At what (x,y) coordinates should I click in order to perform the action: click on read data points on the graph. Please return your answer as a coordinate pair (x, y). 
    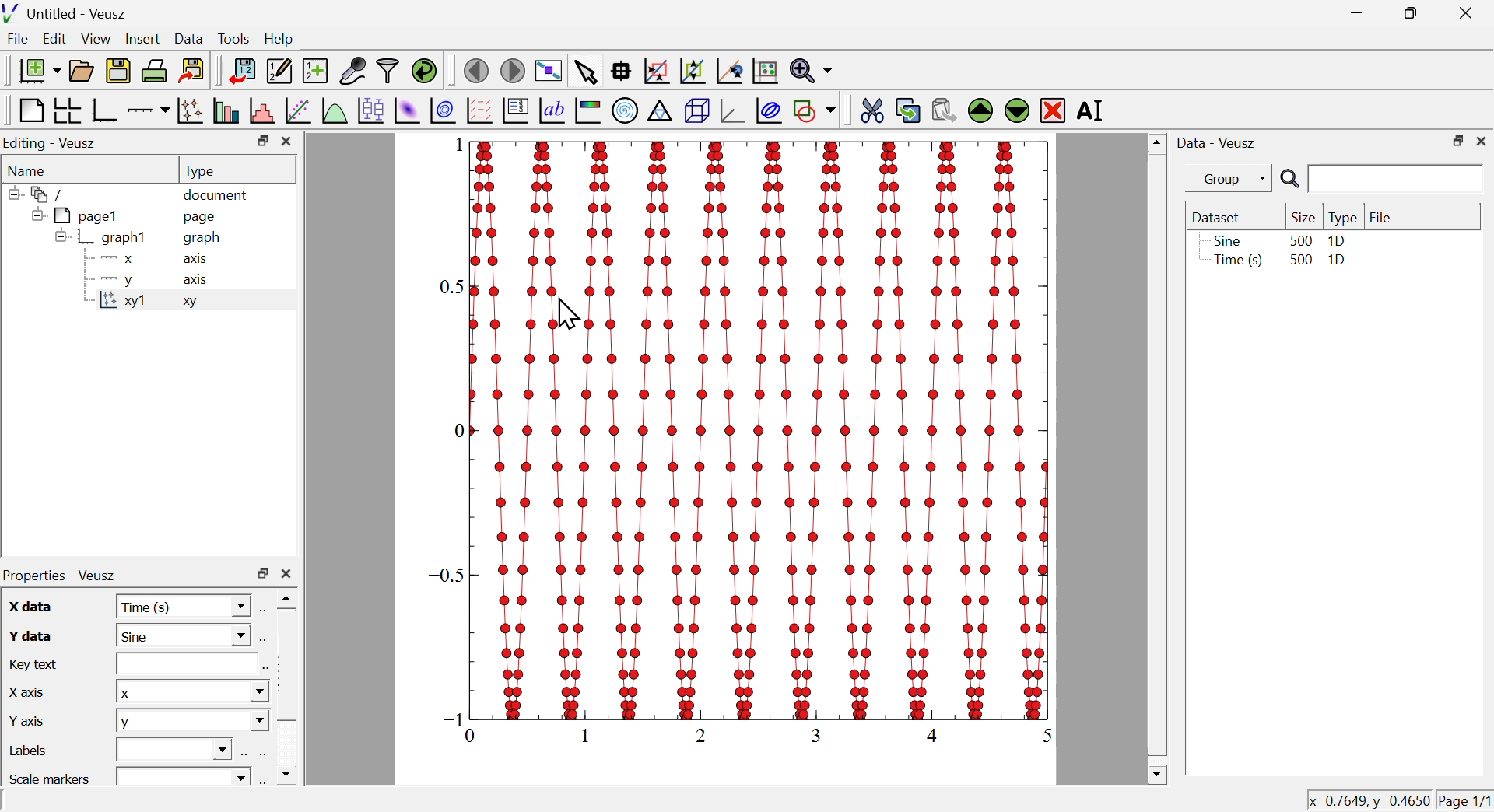
    Looking at the image, I should click on (622, 72).